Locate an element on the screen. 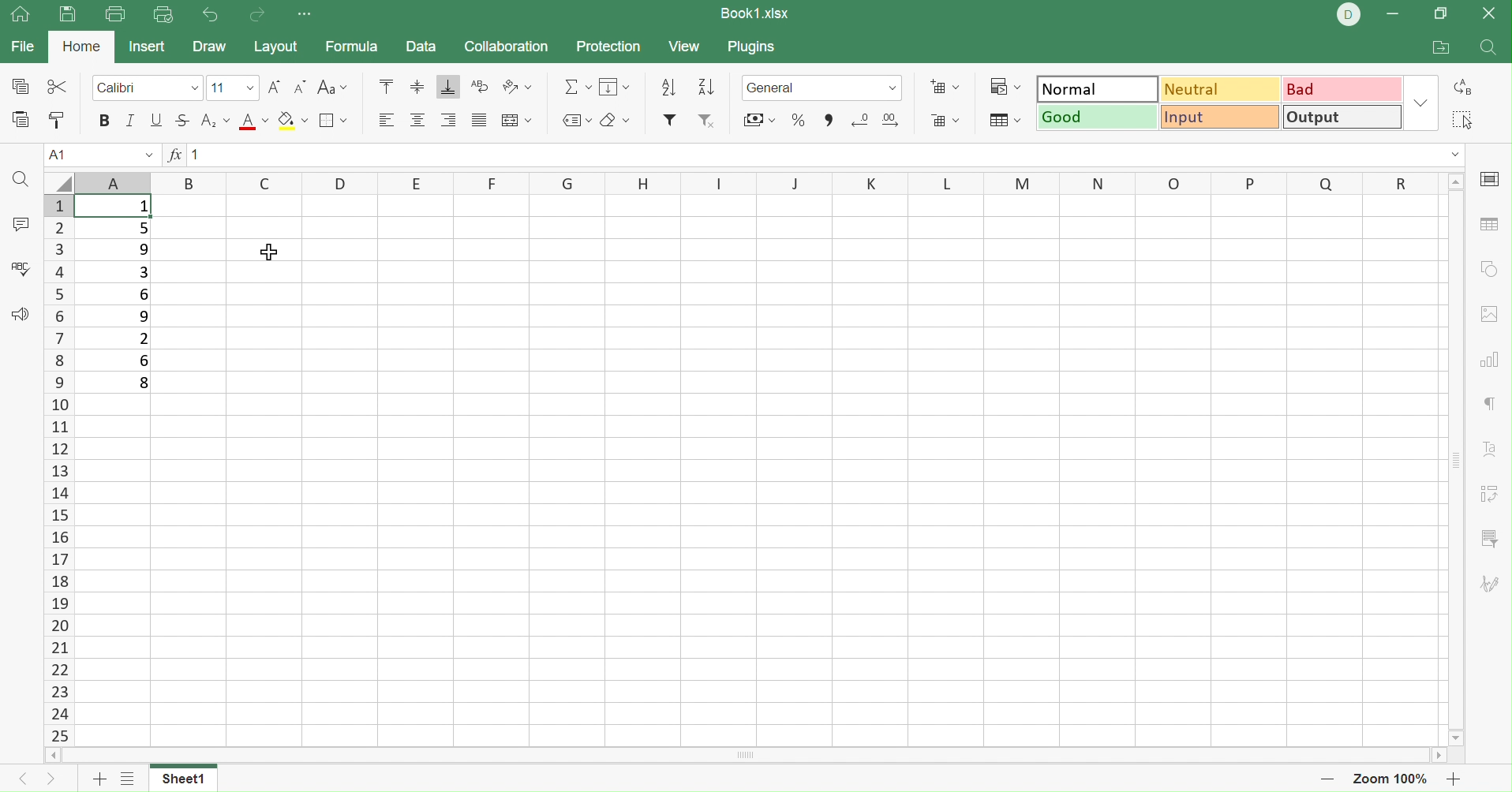 Image resolution: width=1512 pixels, height=792 pixels. Copy is located at coordinates (19, 85).